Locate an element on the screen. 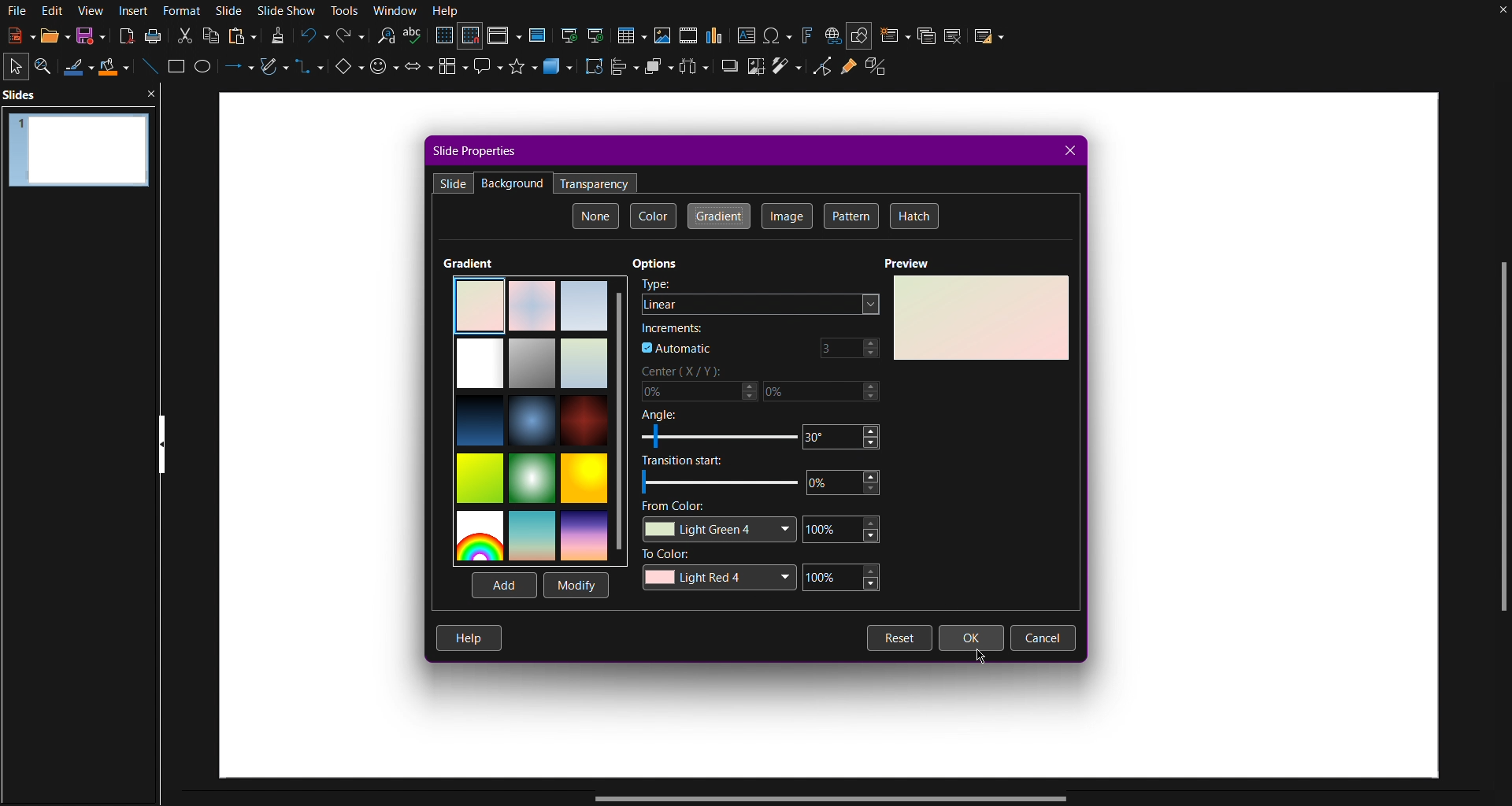  Window is located at coordinates (395, 11).